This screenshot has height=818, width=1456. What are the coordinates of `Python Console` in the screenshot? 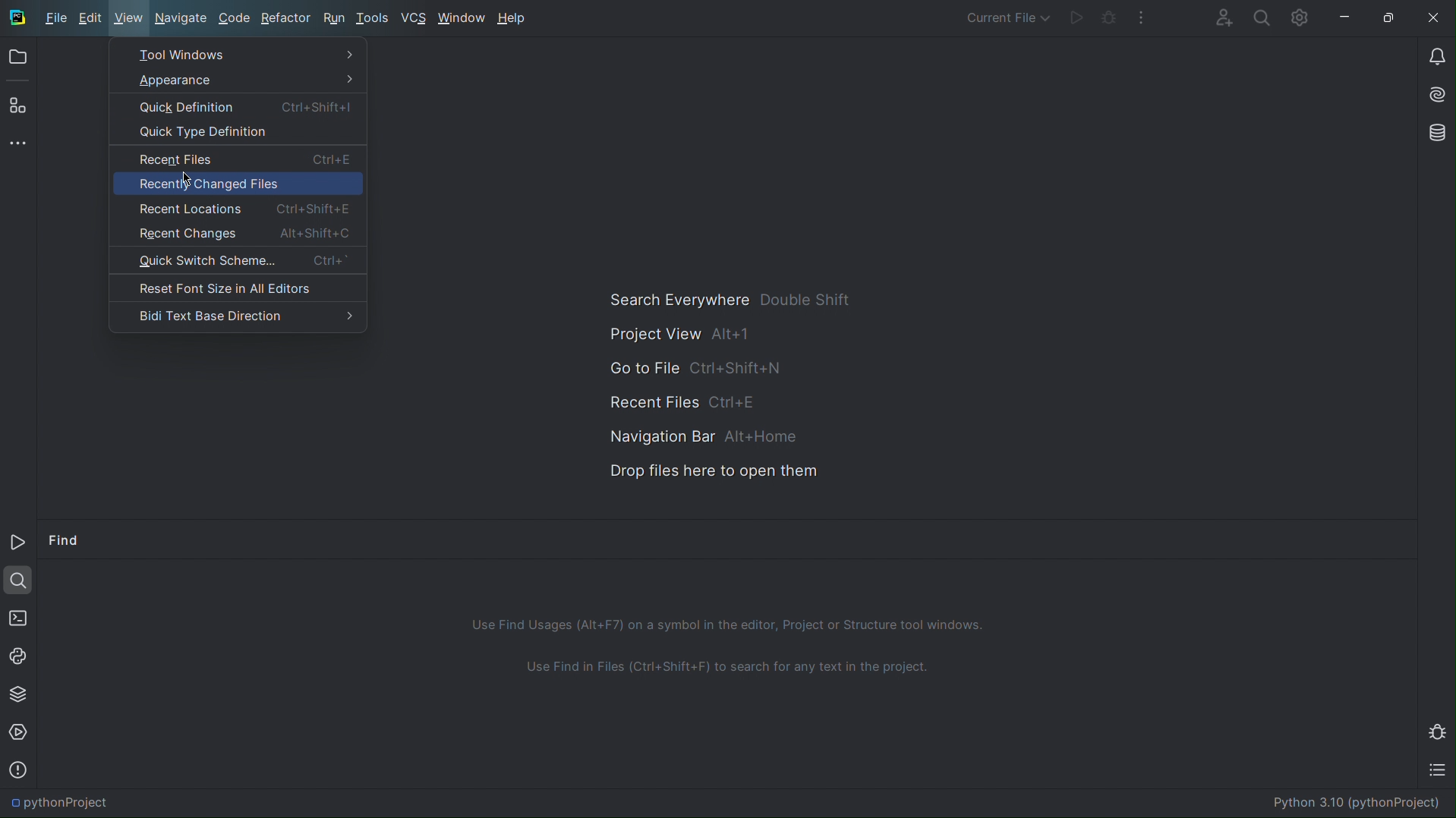 It's located at (19, 654).